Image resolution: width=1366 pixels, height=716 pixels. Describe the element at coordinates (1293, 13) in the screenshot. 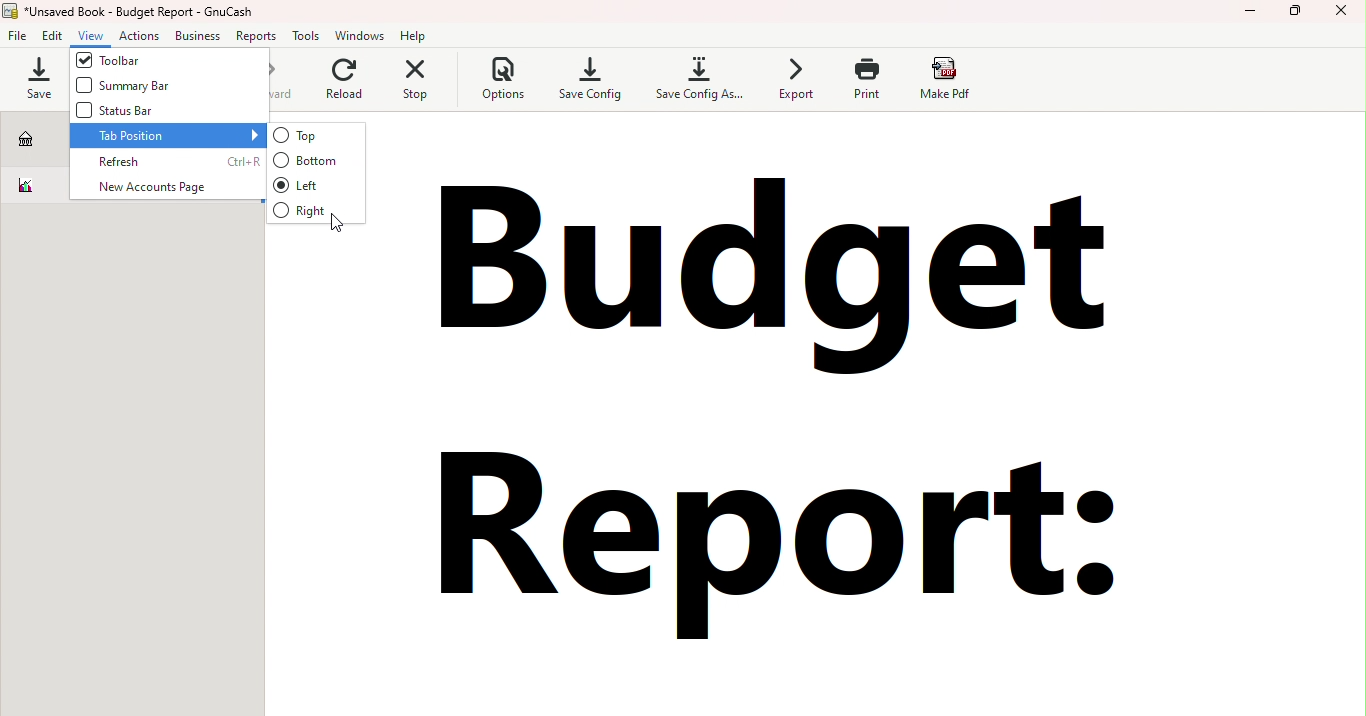

I see `Maximize` at that location.